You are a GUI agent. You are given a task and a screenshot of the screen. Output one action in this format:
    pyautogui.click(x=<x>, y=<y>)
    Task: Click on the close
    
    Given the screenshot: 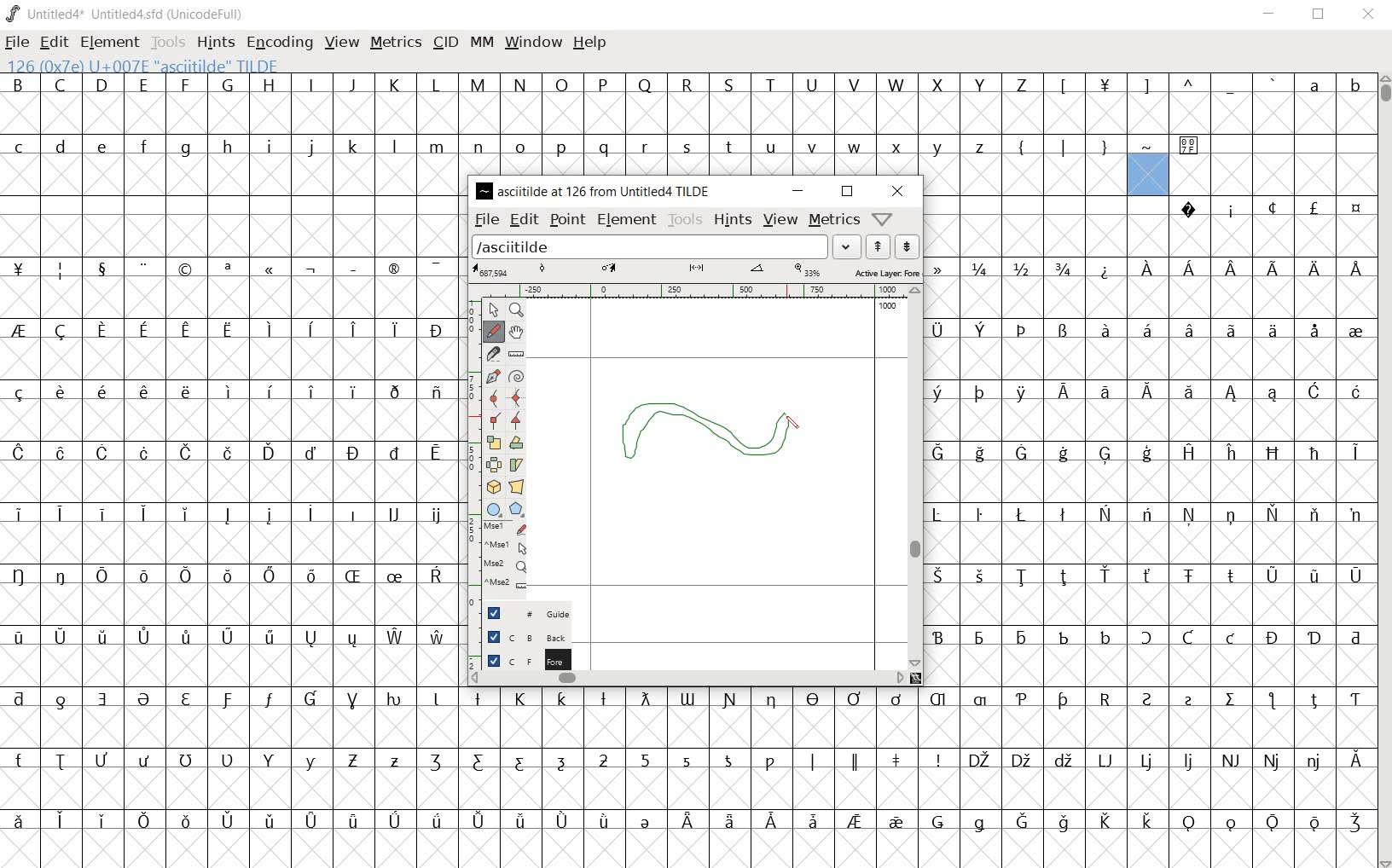 What is the action you would take?
    pyautogui.click(x=896, y=189)
    